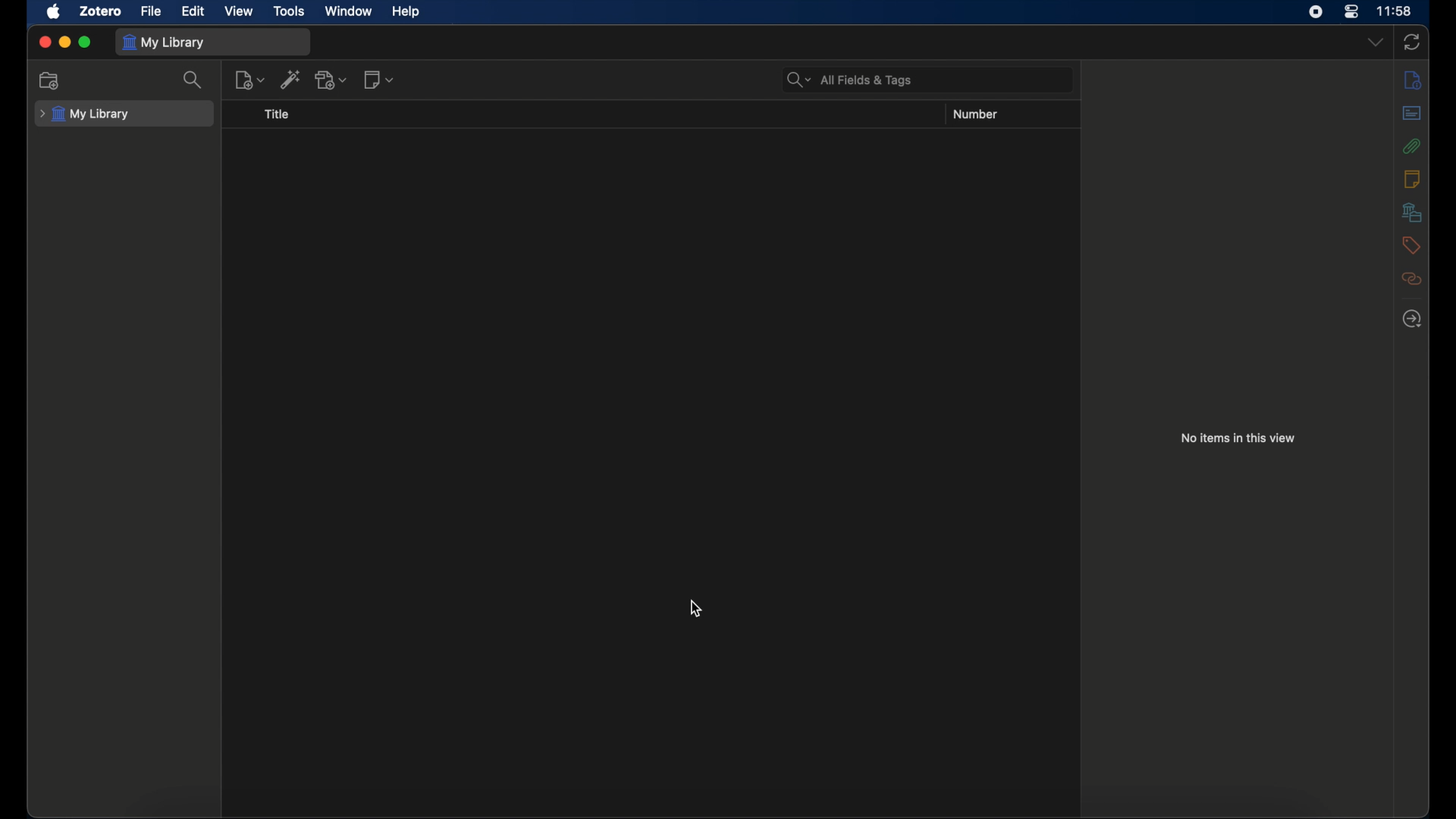  Describe the element at coordinates (196, 80) in the screenshot. I see `search` at that location.